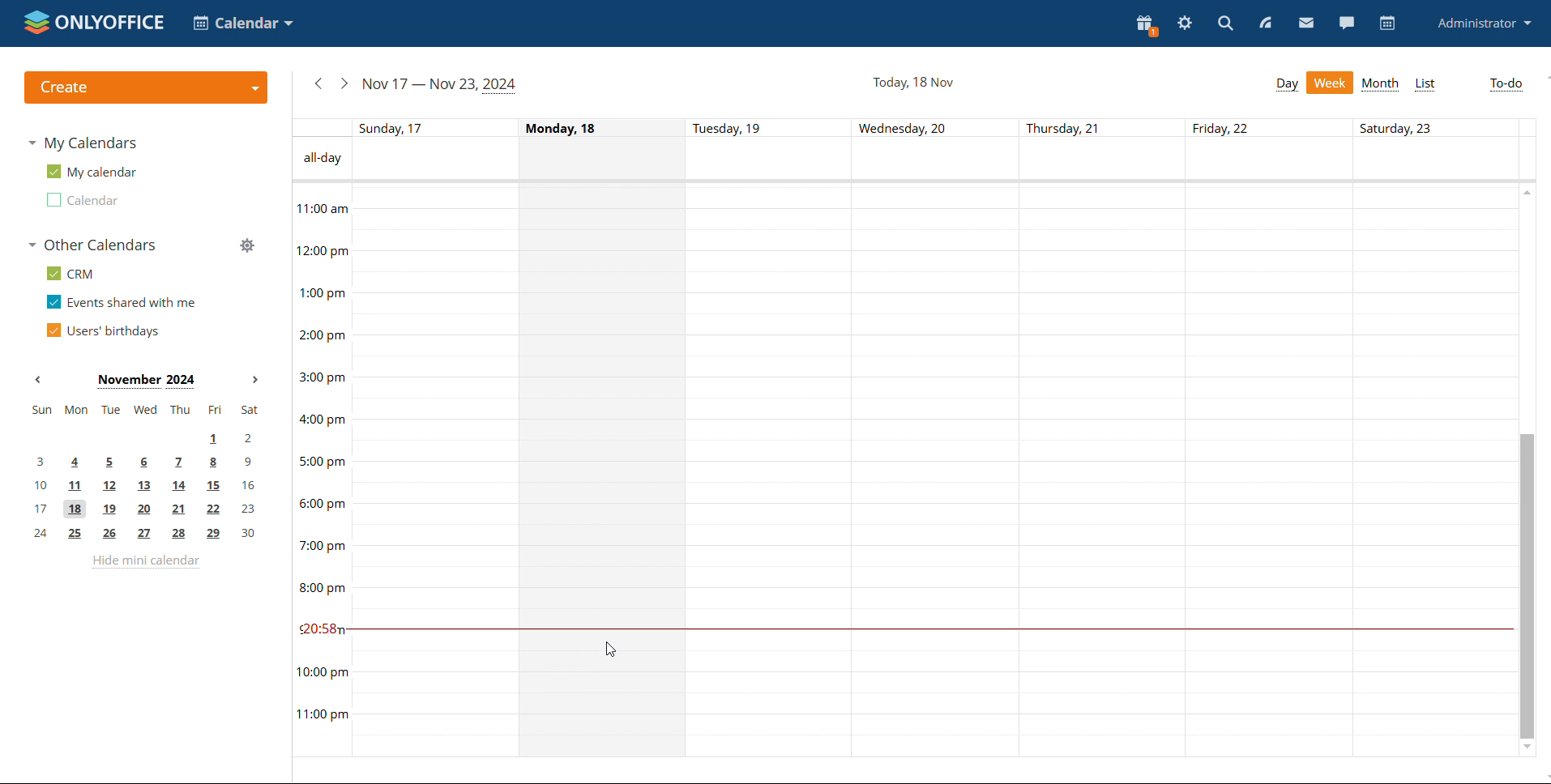 This screenshot has height=784, width=1551. I want to click on scroll down, so click(1526, 748).